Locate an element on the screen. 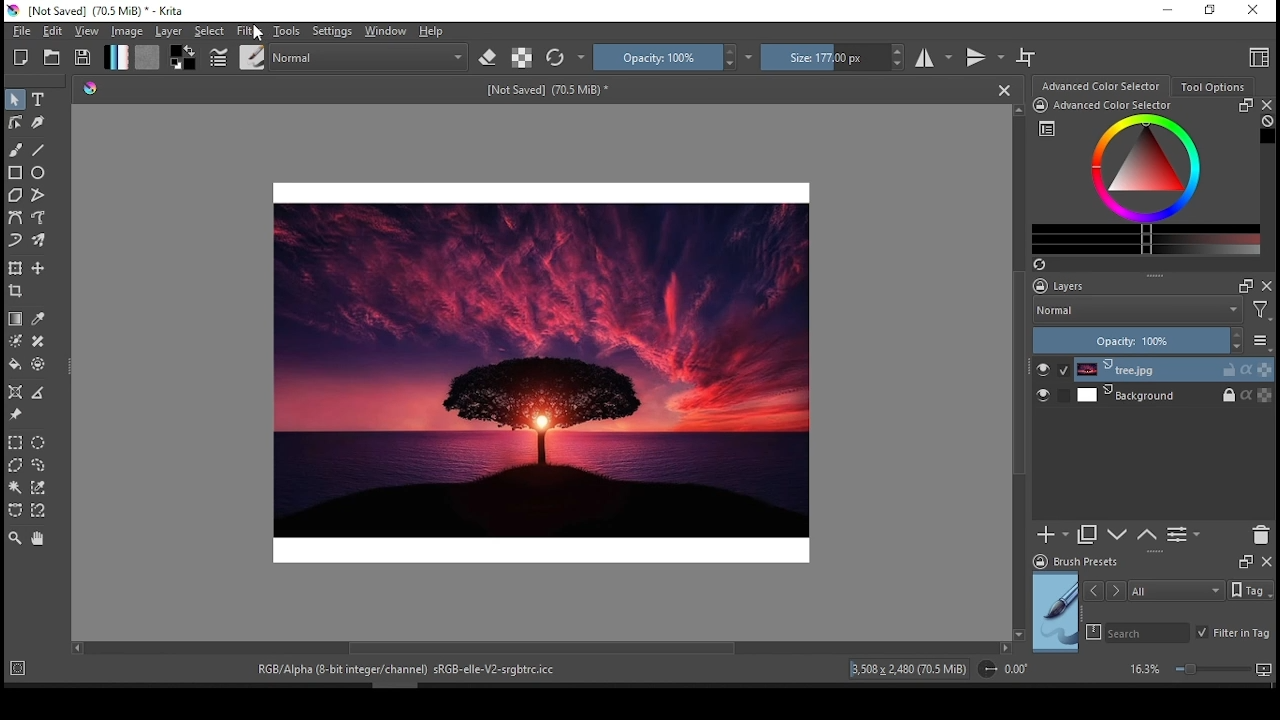 This screenshot has width=1280, height=720. save is located at coordinates (84, 57).